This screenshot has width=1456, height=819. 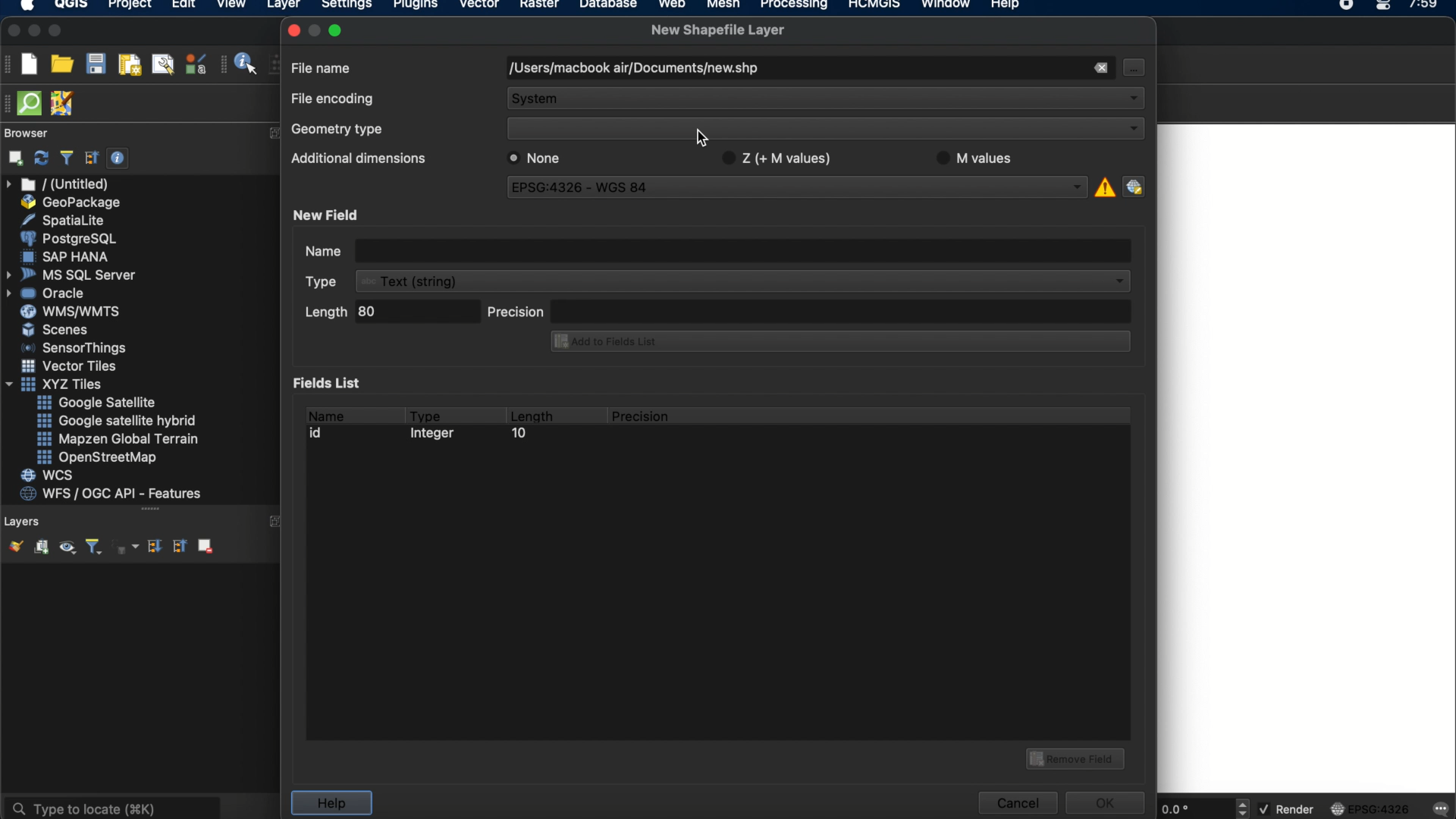 I want to click on identify features, so click(x=240, y=64).